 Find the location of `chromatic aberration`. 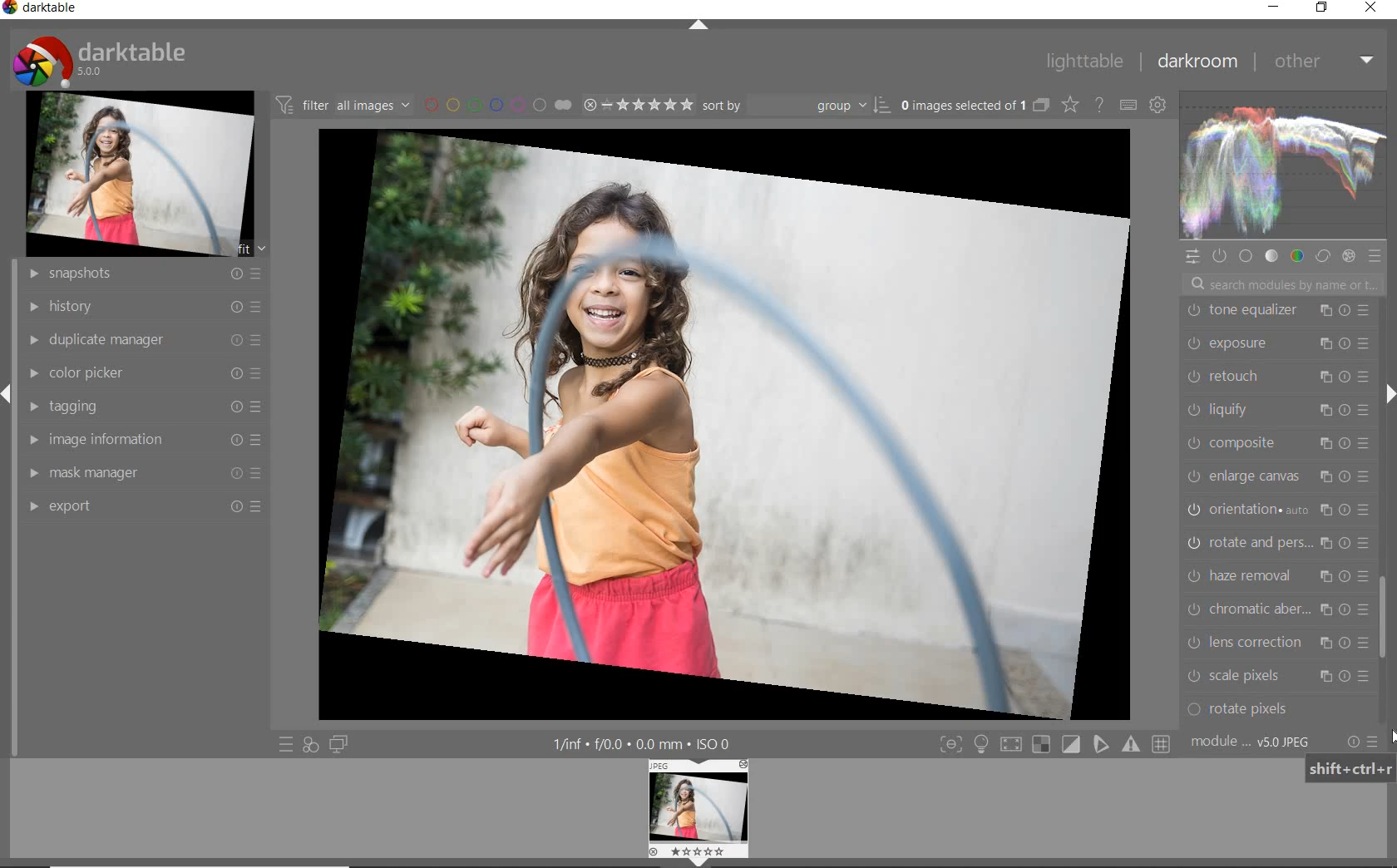

chromatic aberration is located at coordinates (1277, 609).